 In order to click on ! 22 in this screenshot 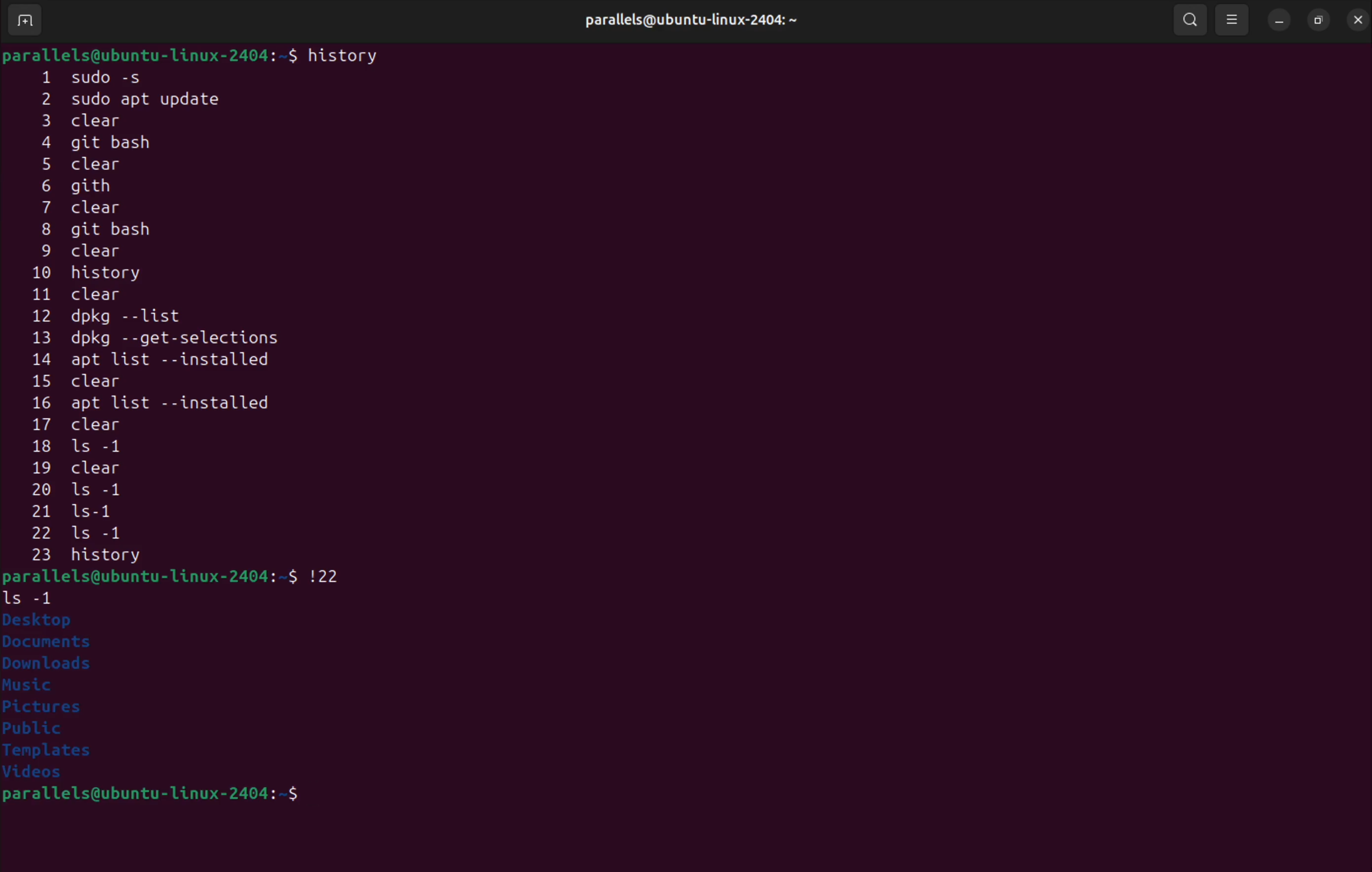, I will do `click(330, 574)`.